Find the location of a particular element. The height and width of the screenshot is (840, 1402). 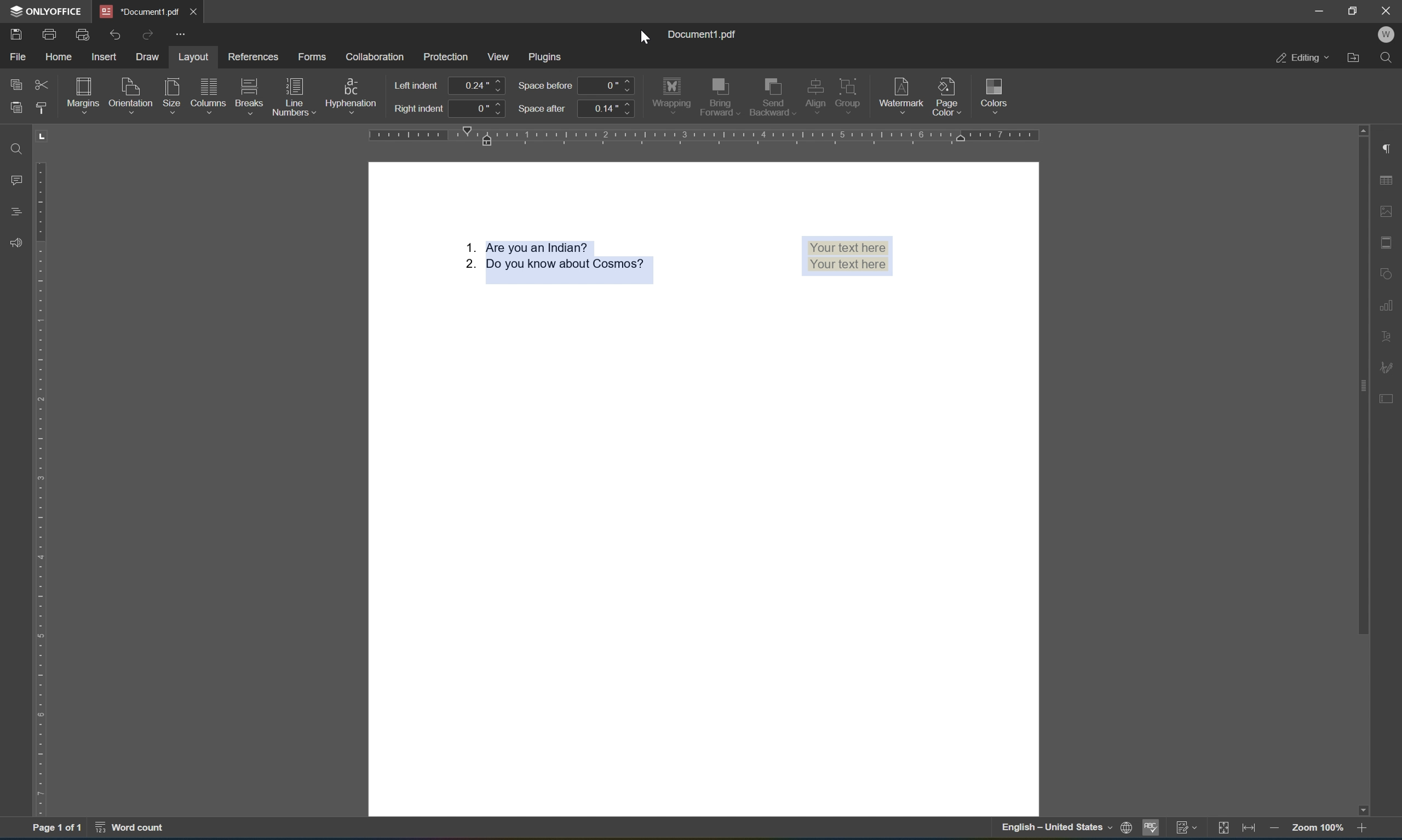

line numbers is located at coordinates (292, 96).